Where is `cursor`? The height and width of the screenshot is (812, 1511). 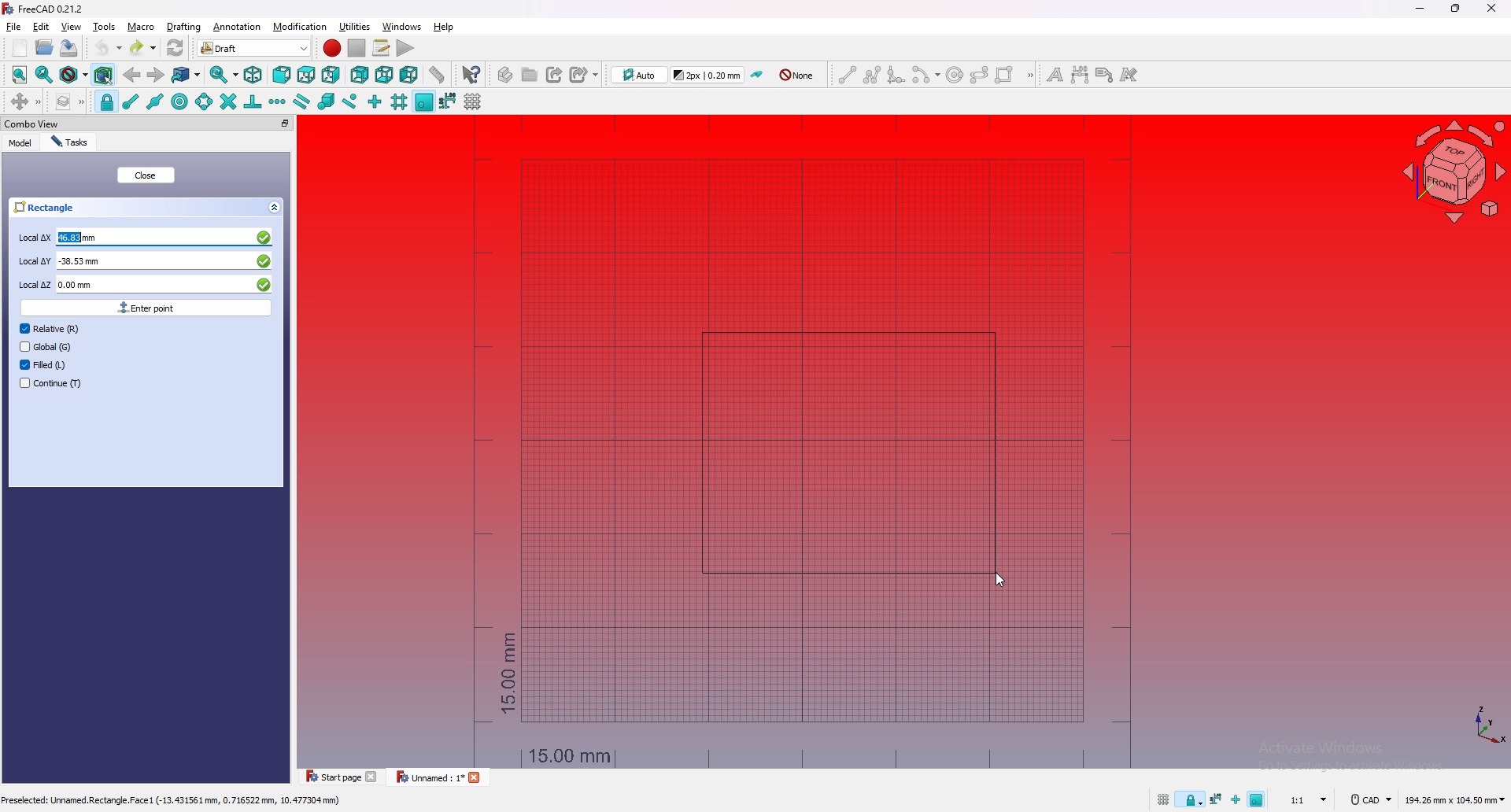 cursor is located at coordinates (1010, 589).